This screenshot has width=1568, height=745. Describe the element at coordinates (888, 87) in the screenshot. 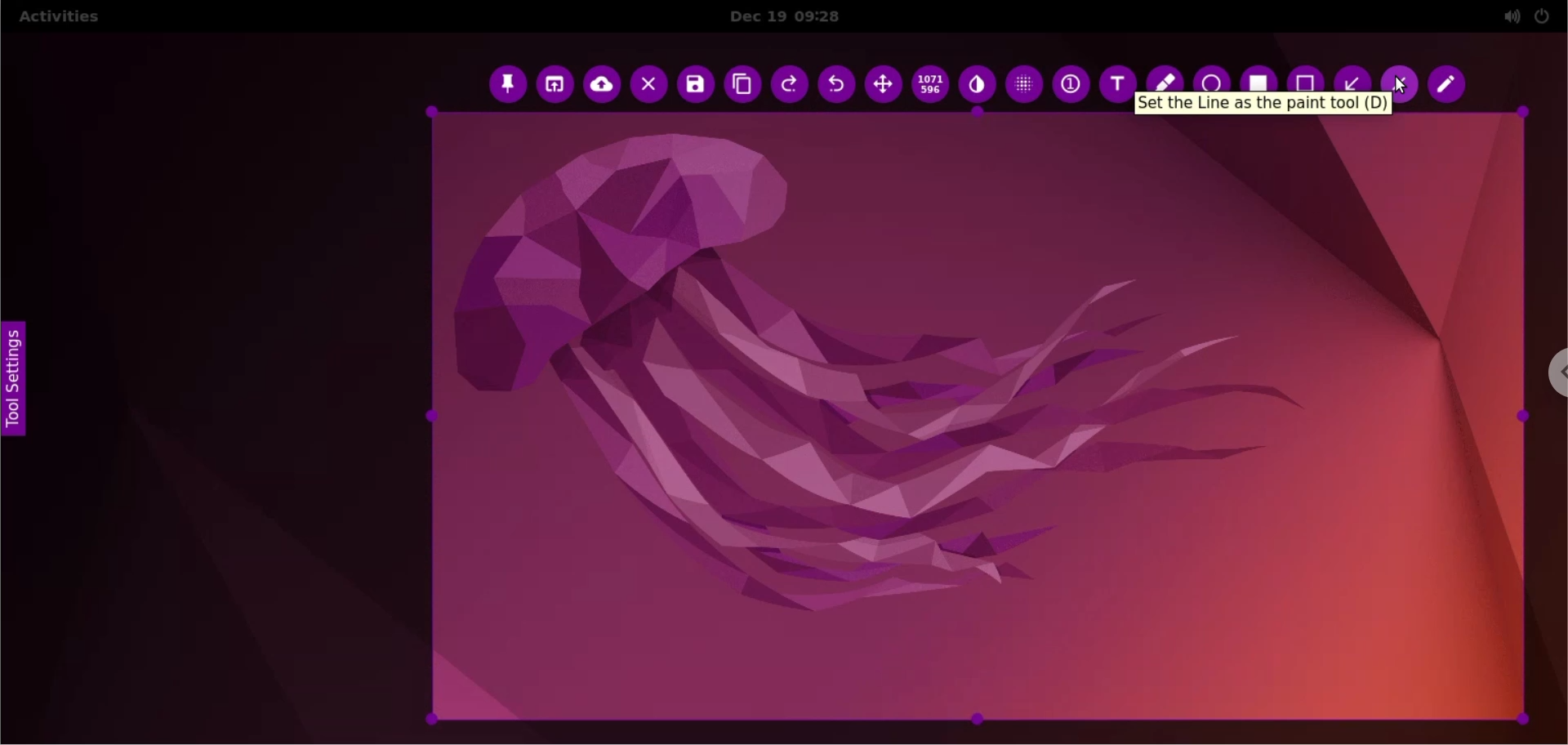

I see `move selection` at that location.